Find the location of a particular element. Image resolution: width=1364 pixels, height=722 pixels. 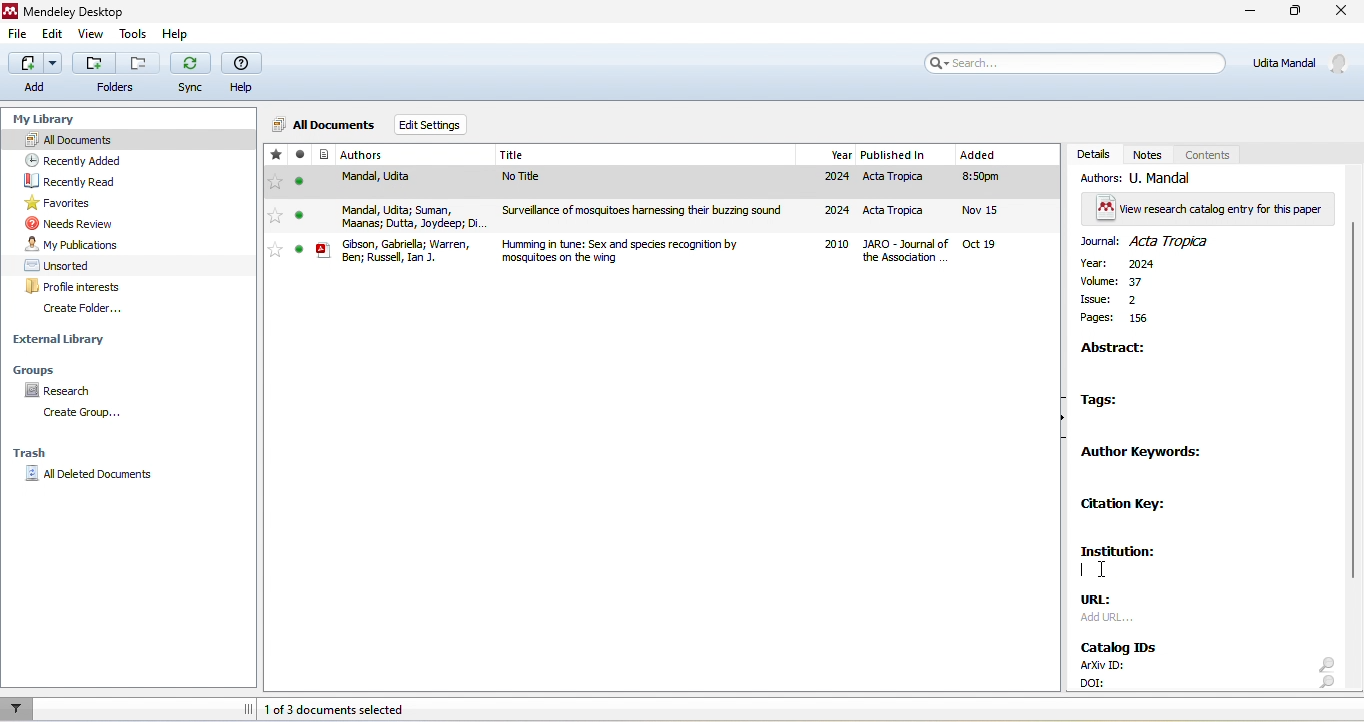

no title is located at coordinates (646, 182).